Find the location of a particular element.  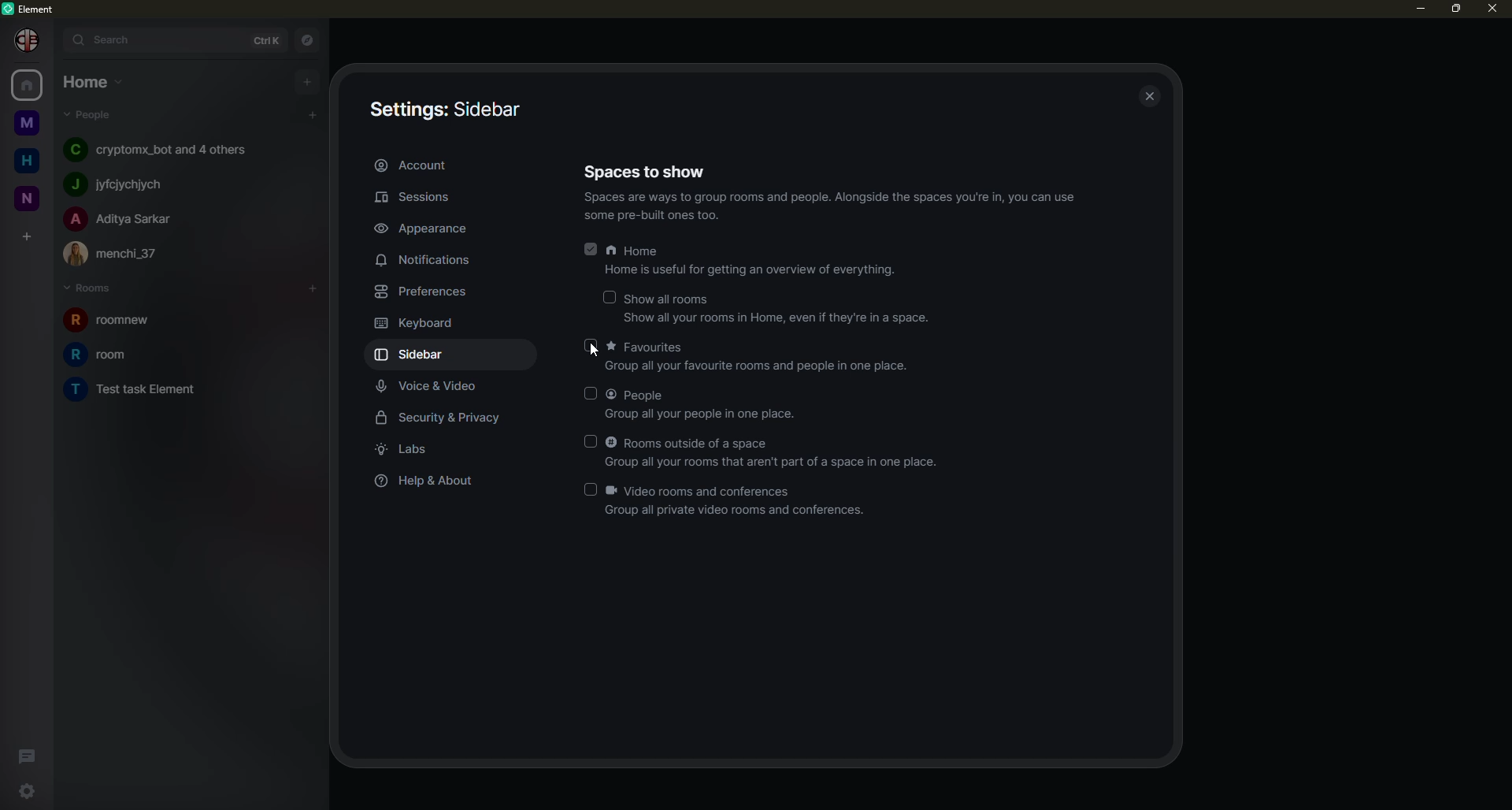

voice & video is located at coordinates (432, 387).